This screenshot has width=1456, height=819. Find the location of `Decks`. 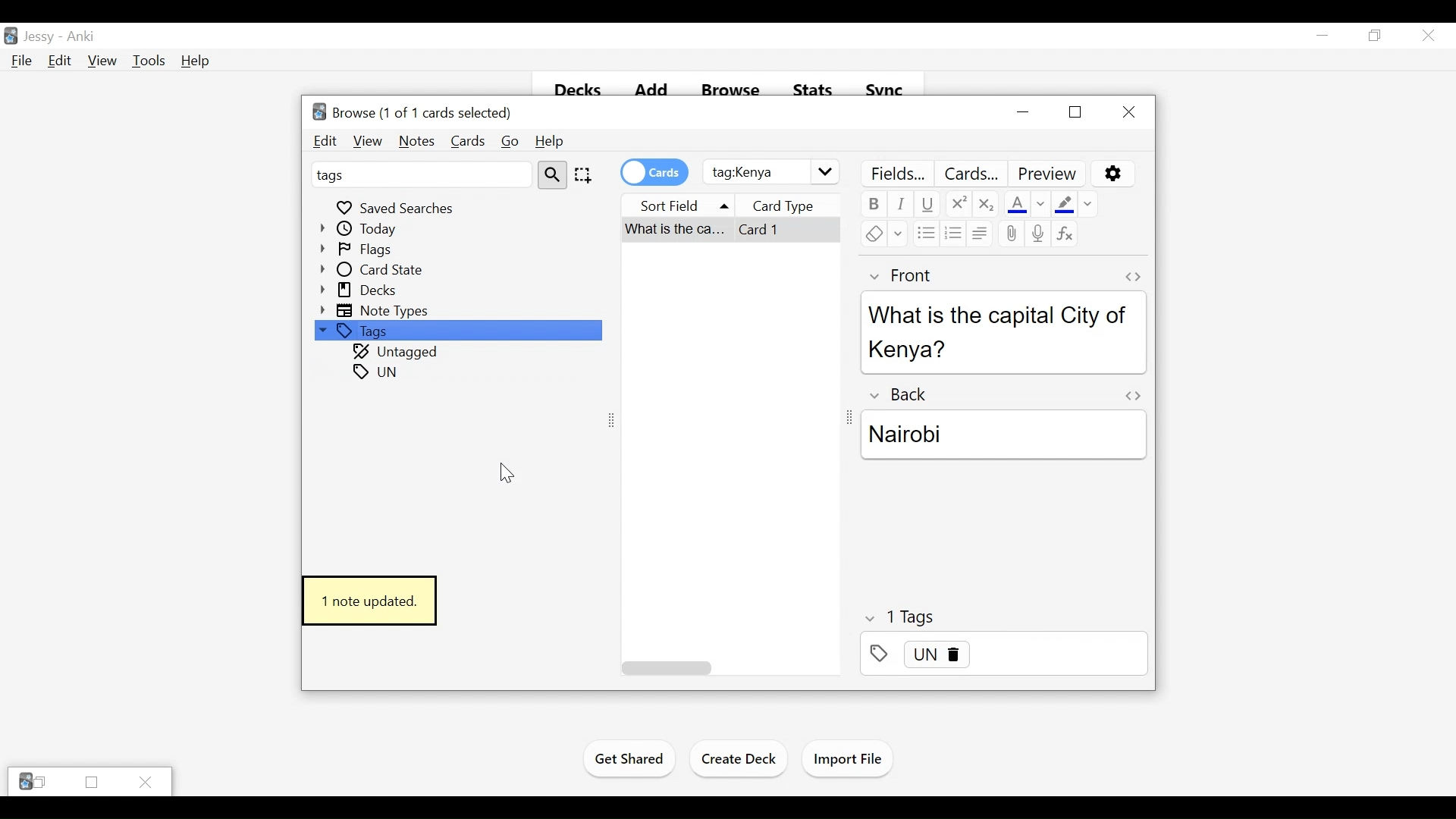

Decks is located at coordinates (360, 290).